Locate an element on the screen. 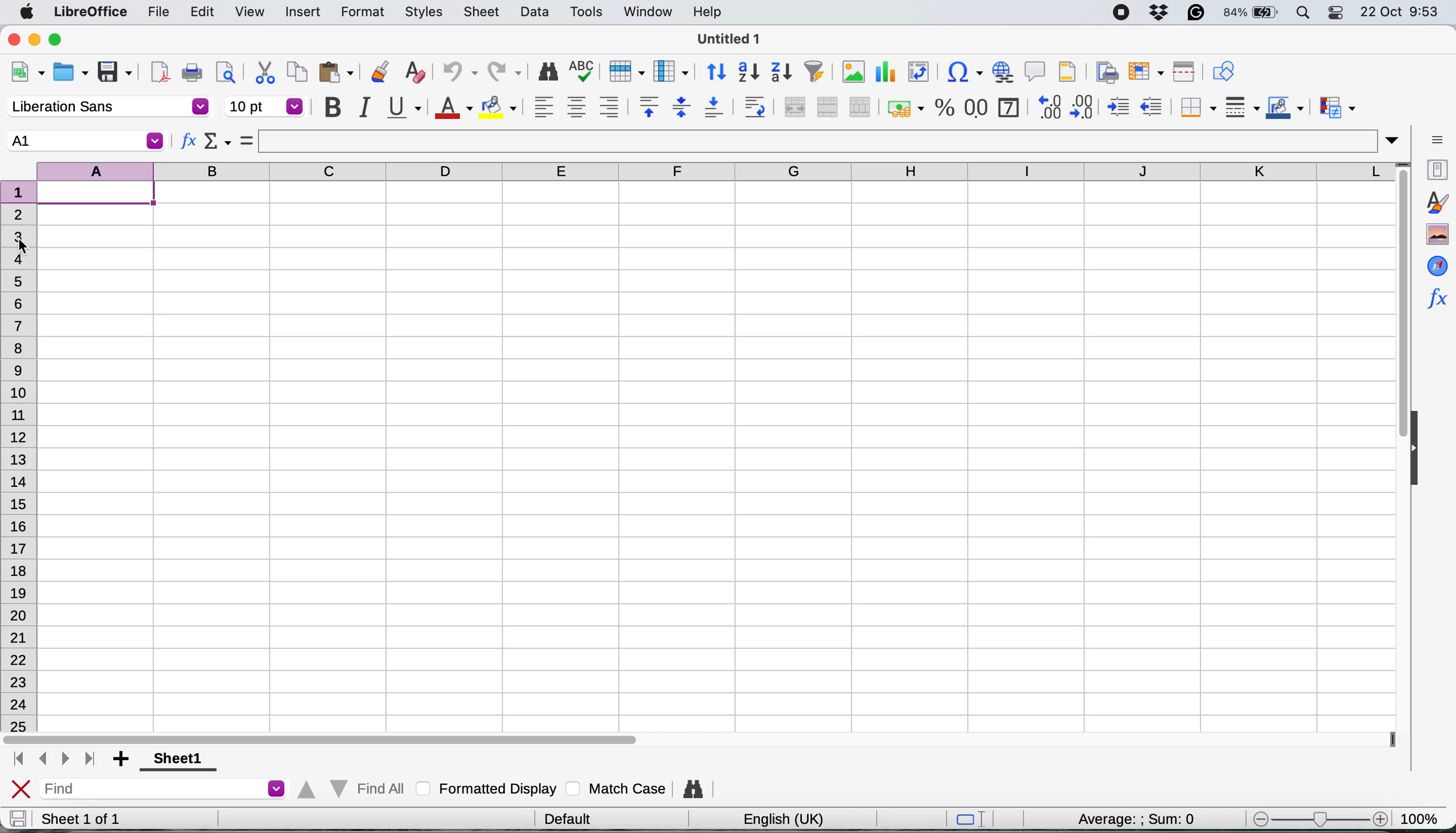 This screenshot has width=1456, height=833. spelling is located at coordinates (583, 73).